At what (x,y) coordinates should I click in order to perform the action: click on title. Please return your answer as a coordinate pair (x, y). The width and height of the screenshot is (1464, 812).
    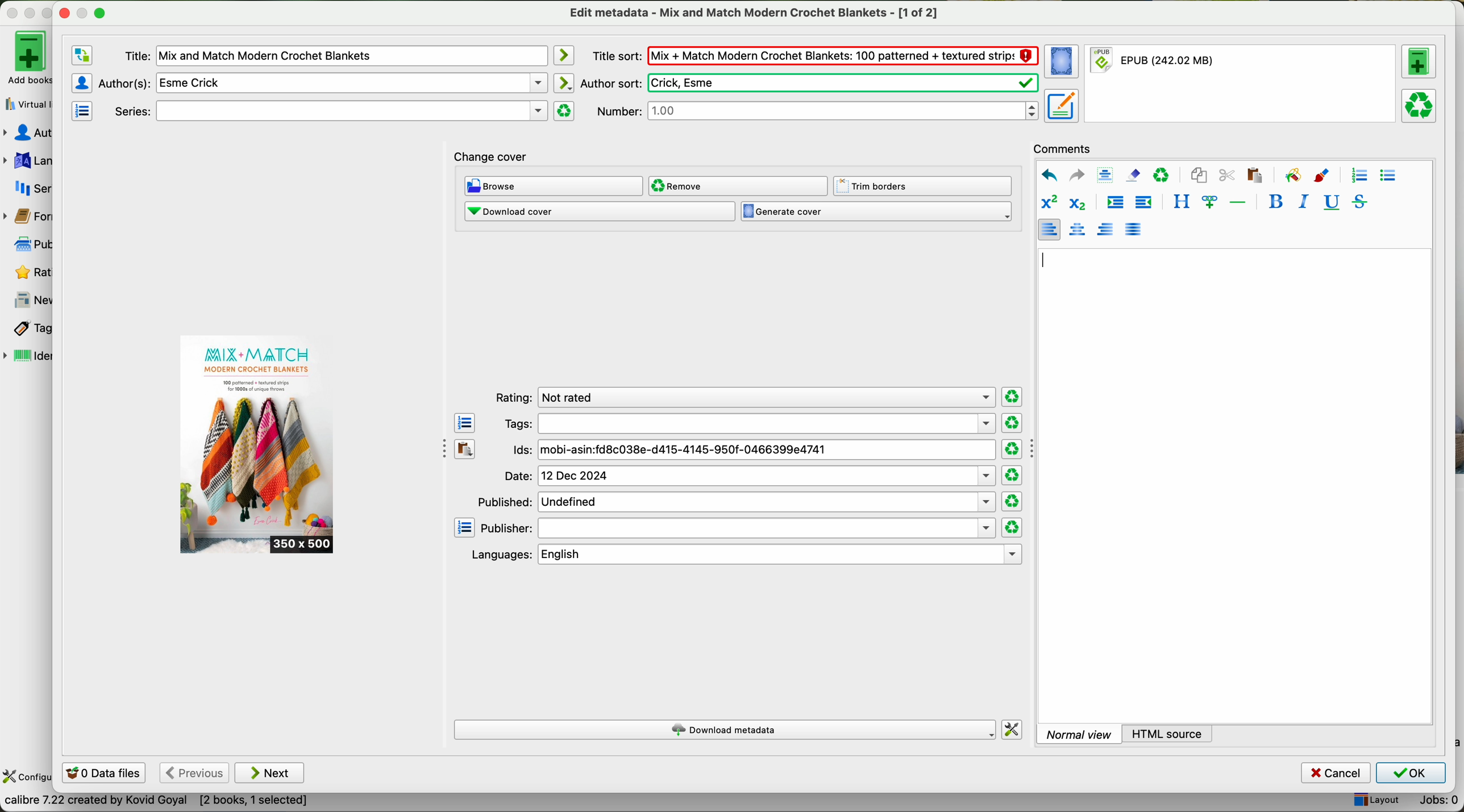
    Looking at the image, I should click on (335, 56).